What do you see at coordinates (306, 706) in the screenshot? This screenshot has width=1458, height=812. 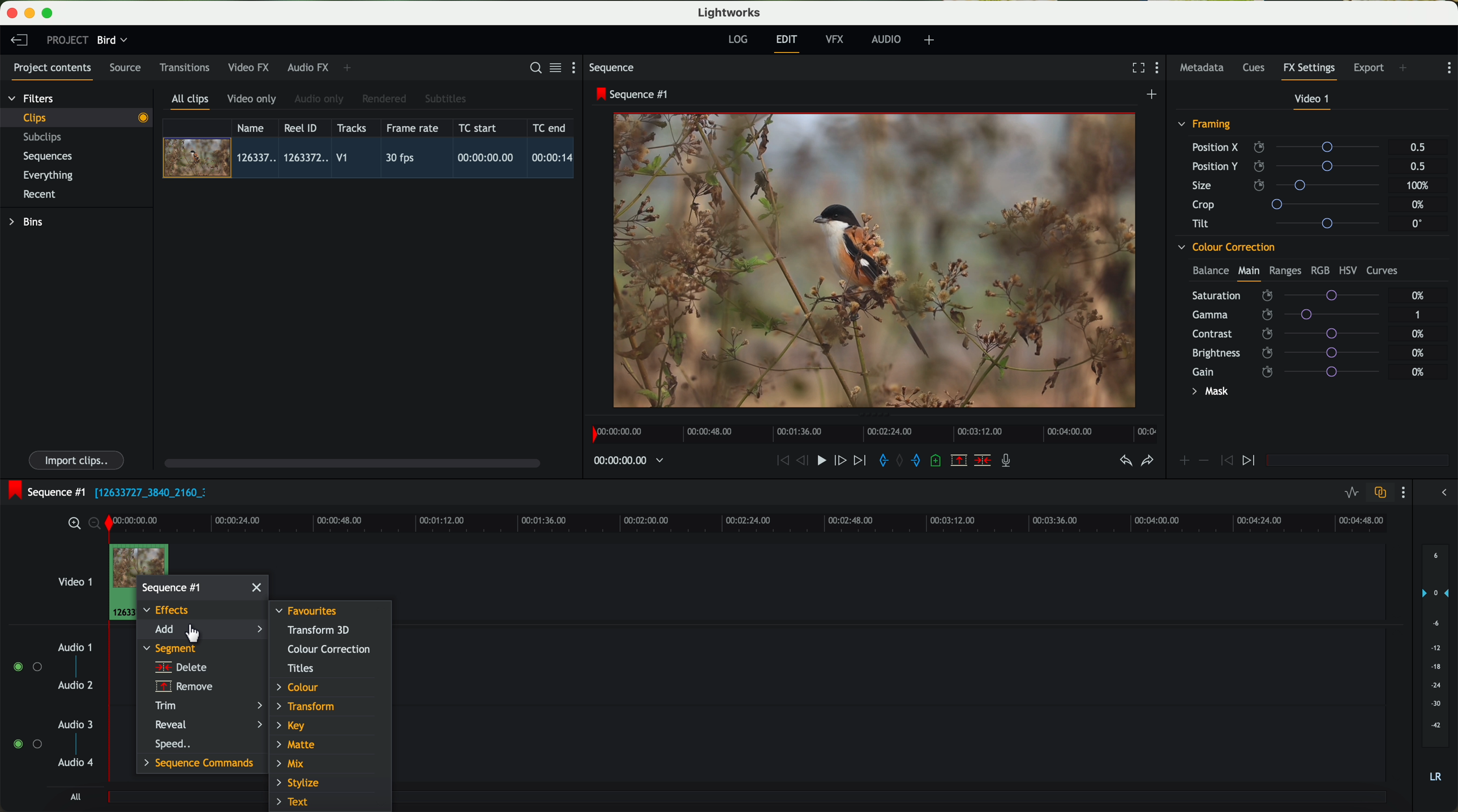 I see `transform` at bounding box center [306, 706].